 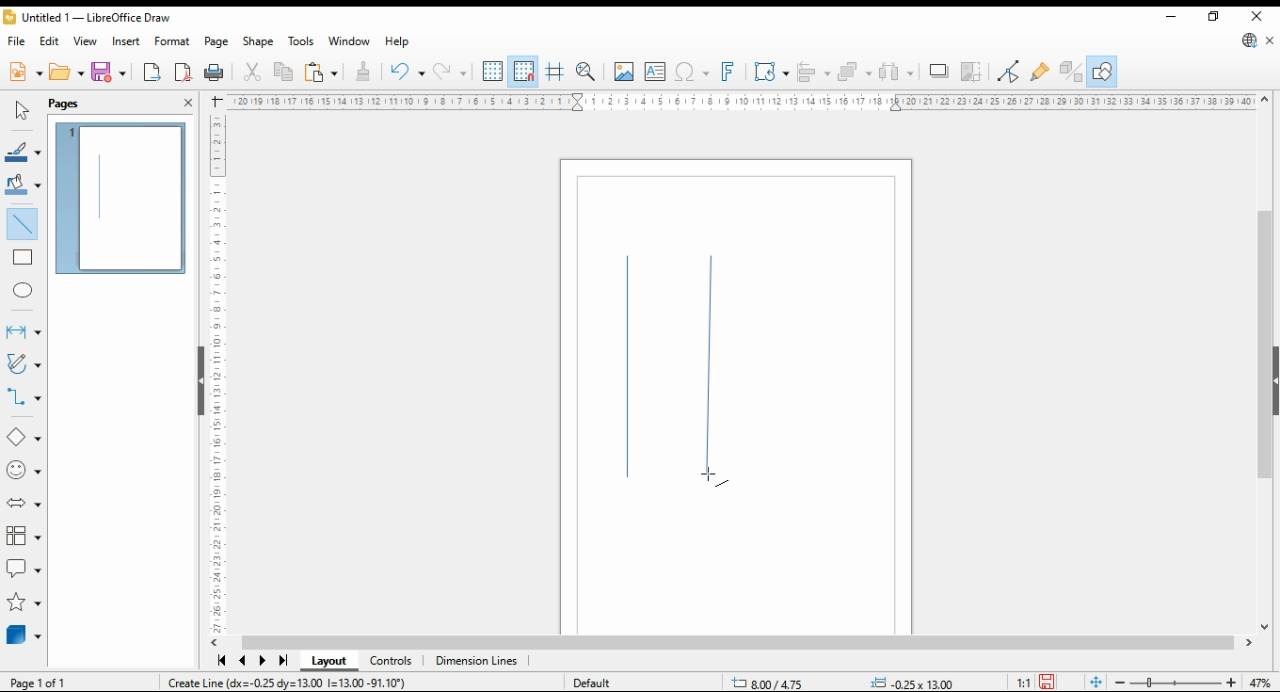 What do you see at coordinates (221, 662) in the screenshot?
I see `first page` at bounding box center [221, 662].